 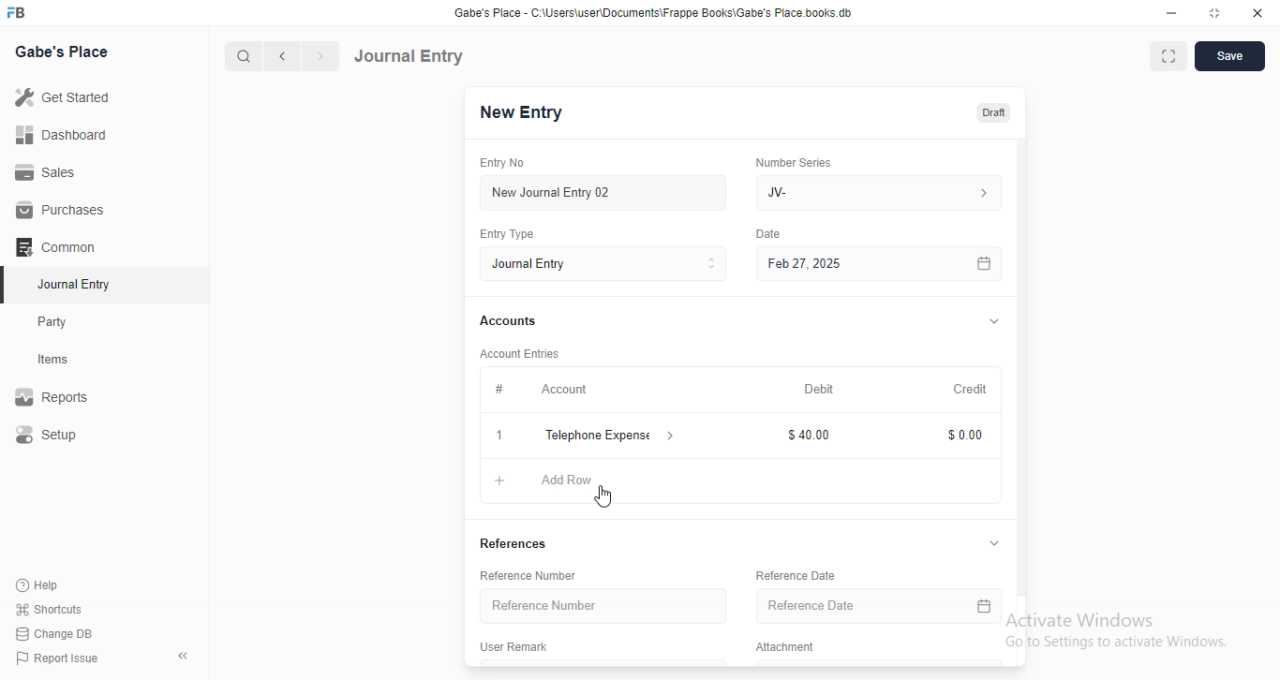 I want to click on Help, so click(x=36, y=585).